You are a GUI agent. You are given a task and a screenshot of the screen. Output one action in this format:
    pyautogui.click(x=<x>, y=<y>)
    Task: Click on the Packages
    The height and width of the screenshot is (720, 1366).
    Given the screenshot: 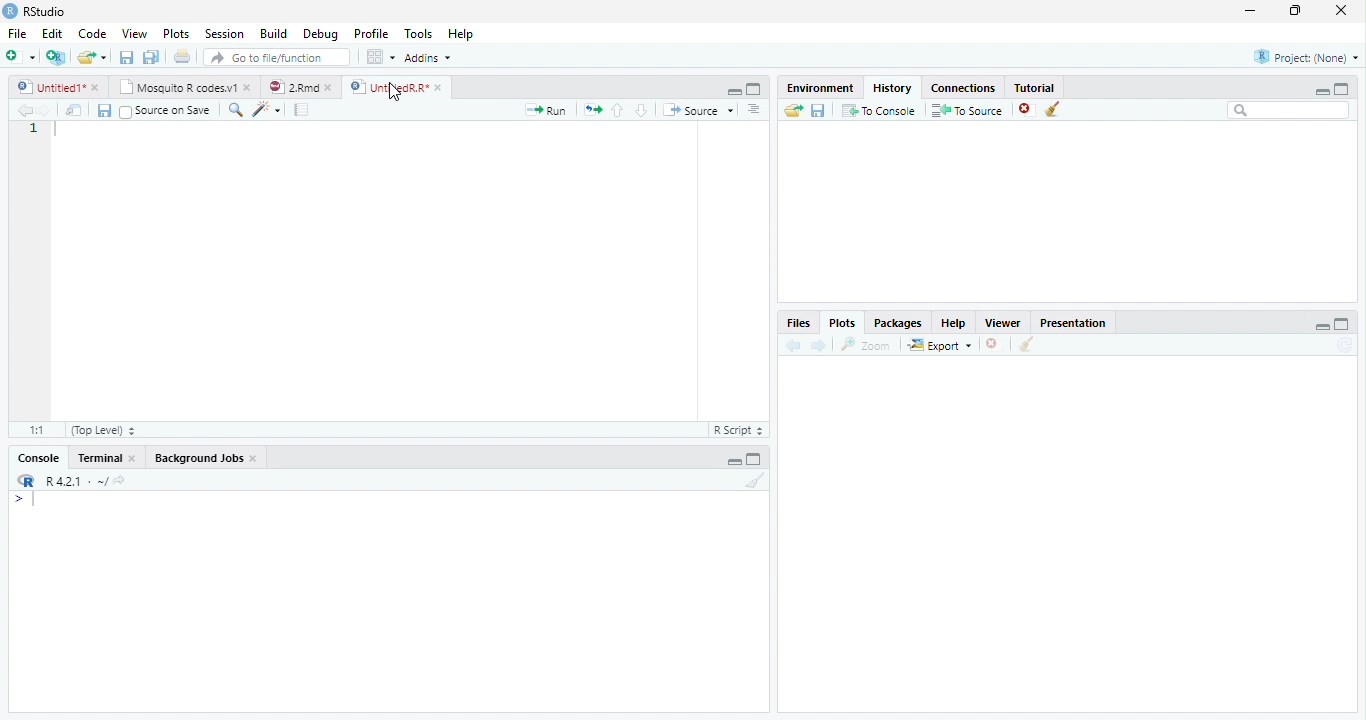 What is the action you would take?
    pyautogui.click(x=898, y=322)
    